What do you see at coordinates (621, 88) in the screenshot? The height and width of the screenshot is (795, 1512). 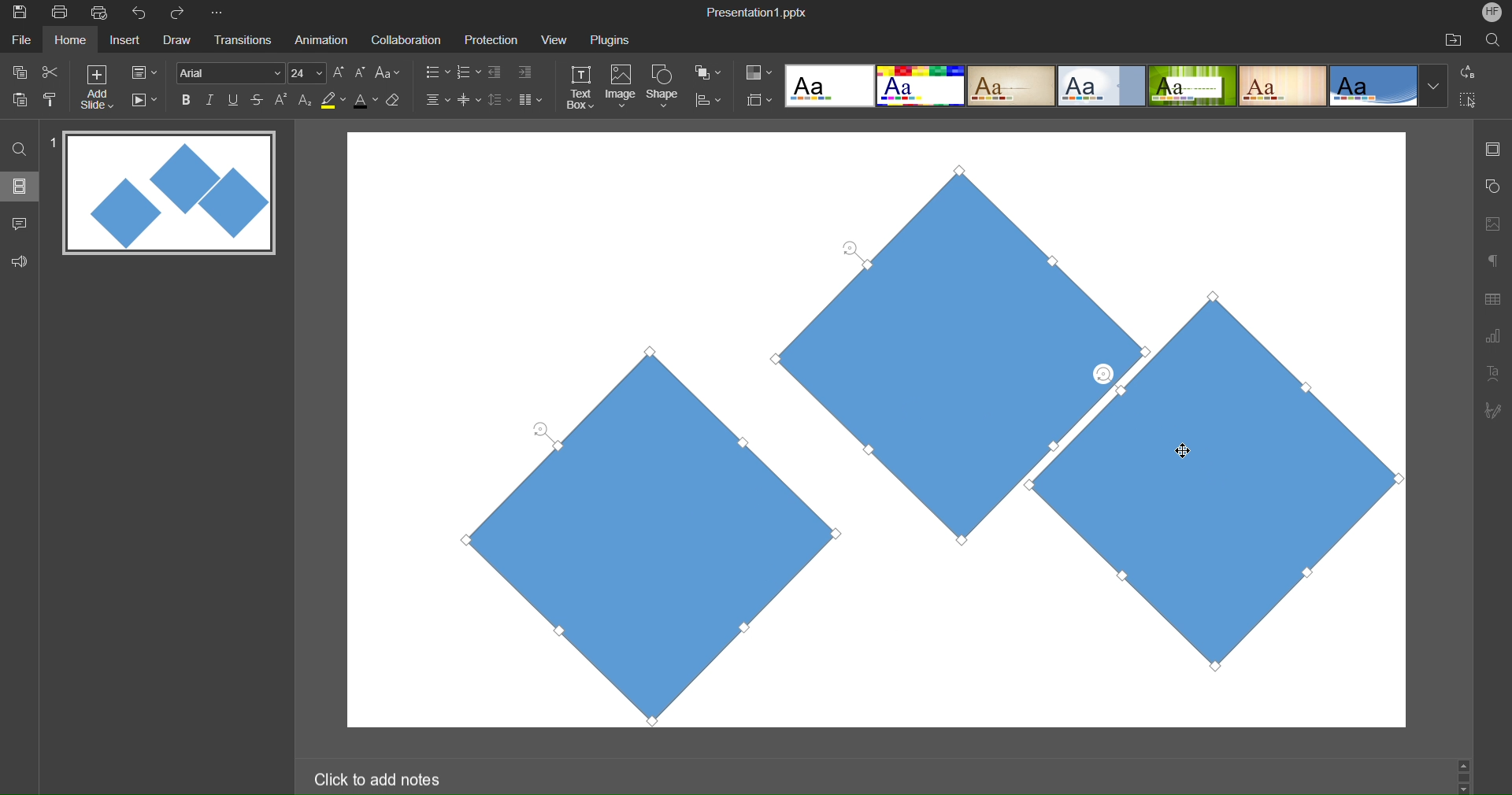 I see `Image` at bounding box center [621, 88].